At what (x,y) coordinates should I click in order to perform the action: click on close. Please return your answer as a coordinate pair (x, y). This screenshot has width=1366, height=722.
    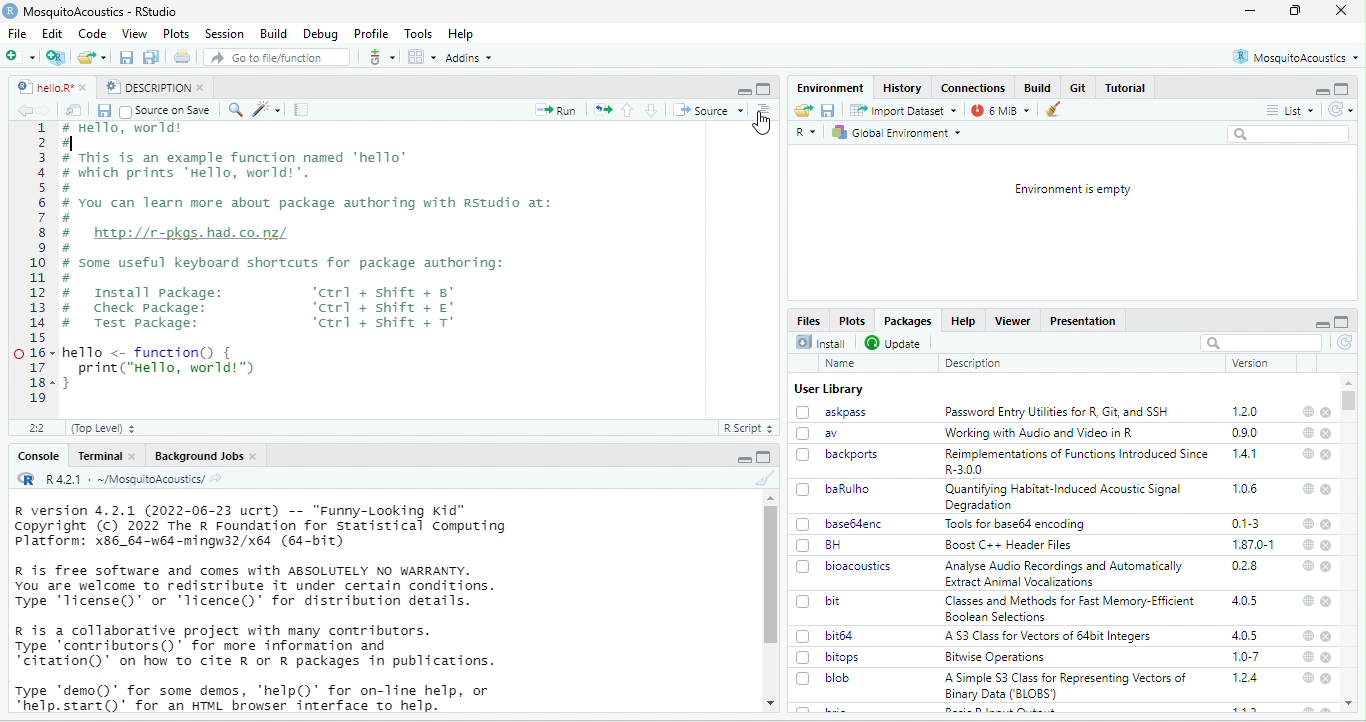
    Looking at the image, I should click on (1327, 565).